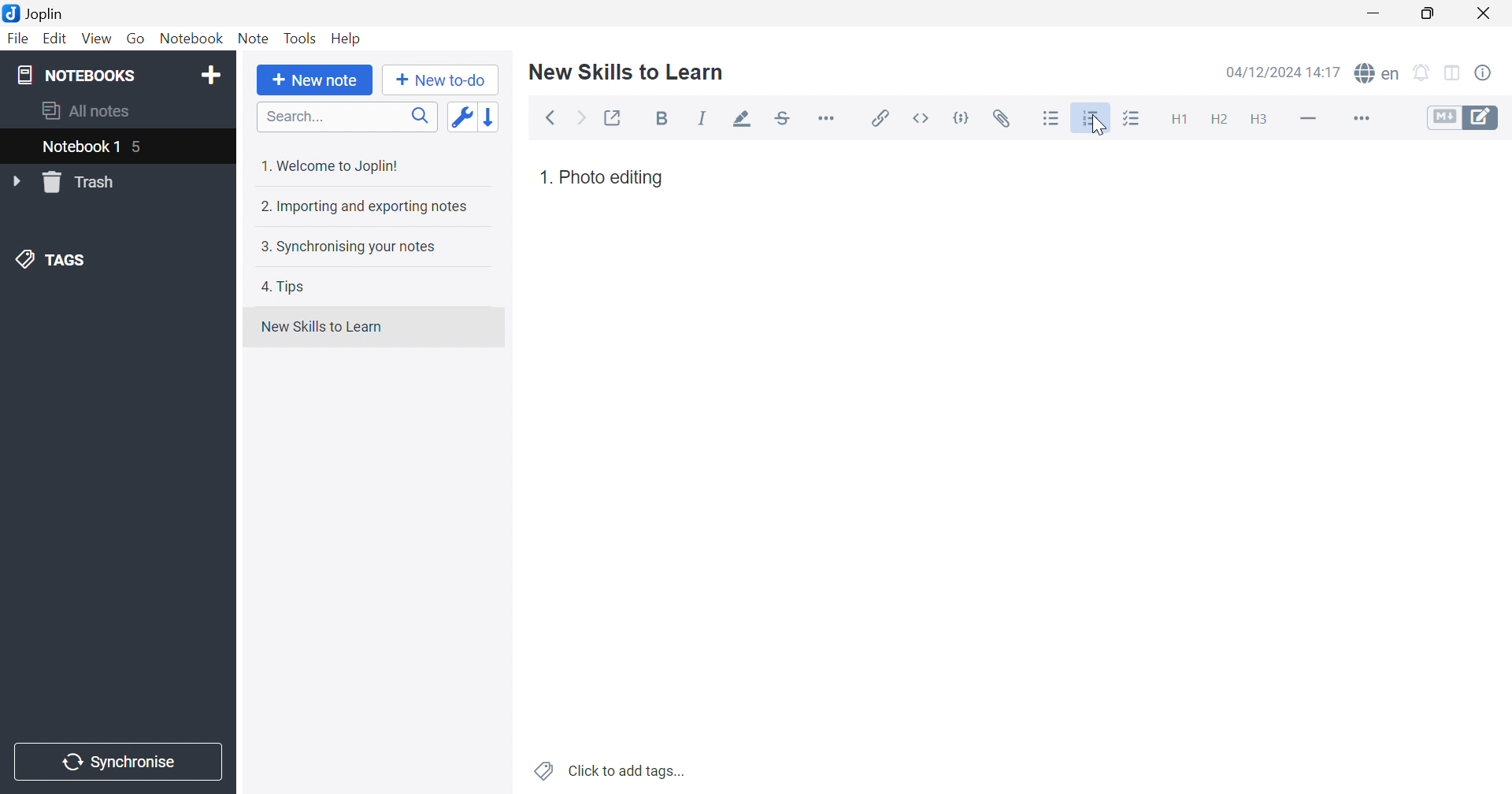 The image size is (1512, 794). Describe the element at coordinates (139, 149) in the screenshot. I see `5` at that location.